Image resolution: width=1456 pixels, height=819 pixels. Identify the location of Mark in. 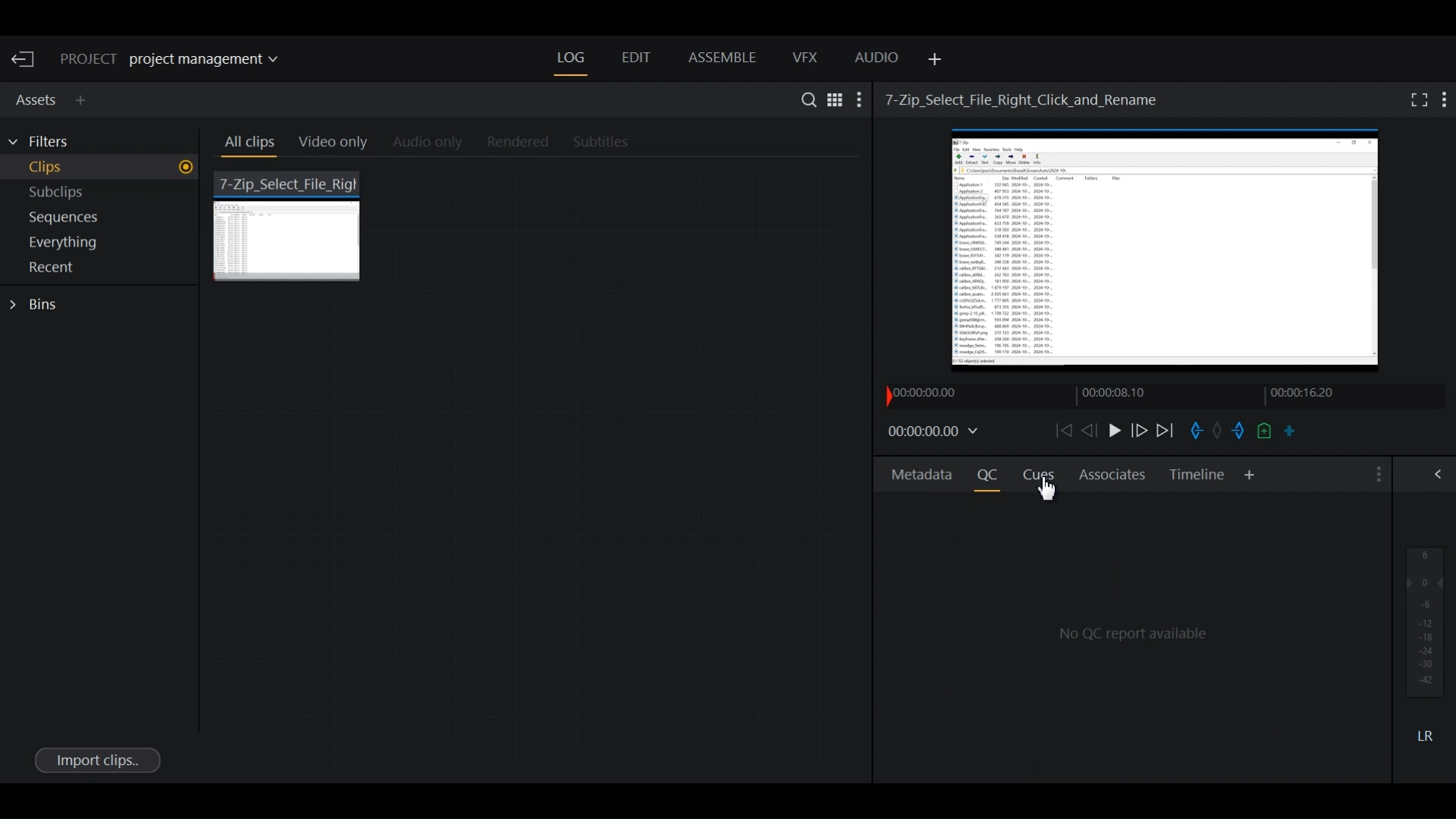
(1197, 430).